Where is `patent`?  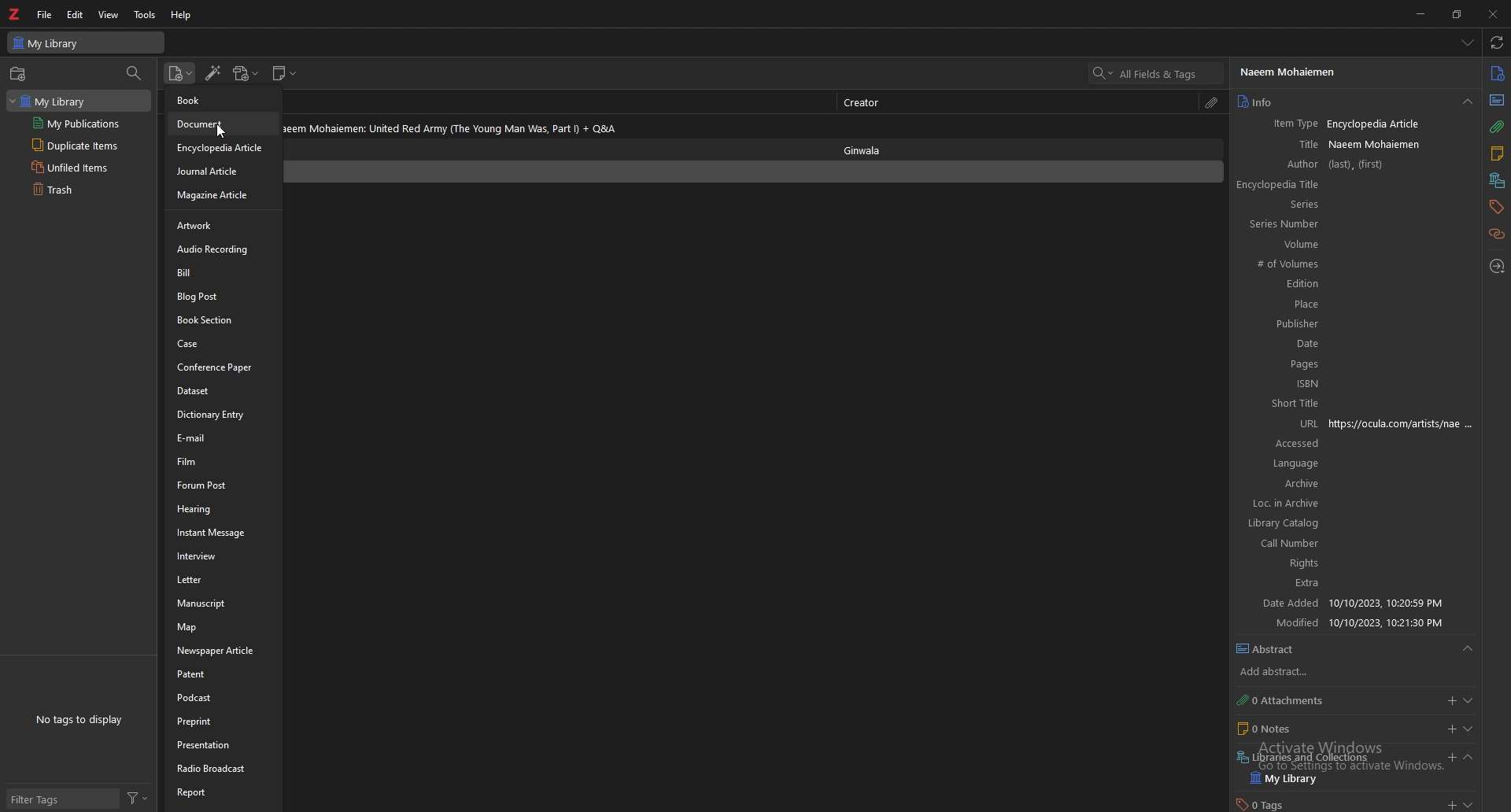 patent is located at coordinates (221, 674).